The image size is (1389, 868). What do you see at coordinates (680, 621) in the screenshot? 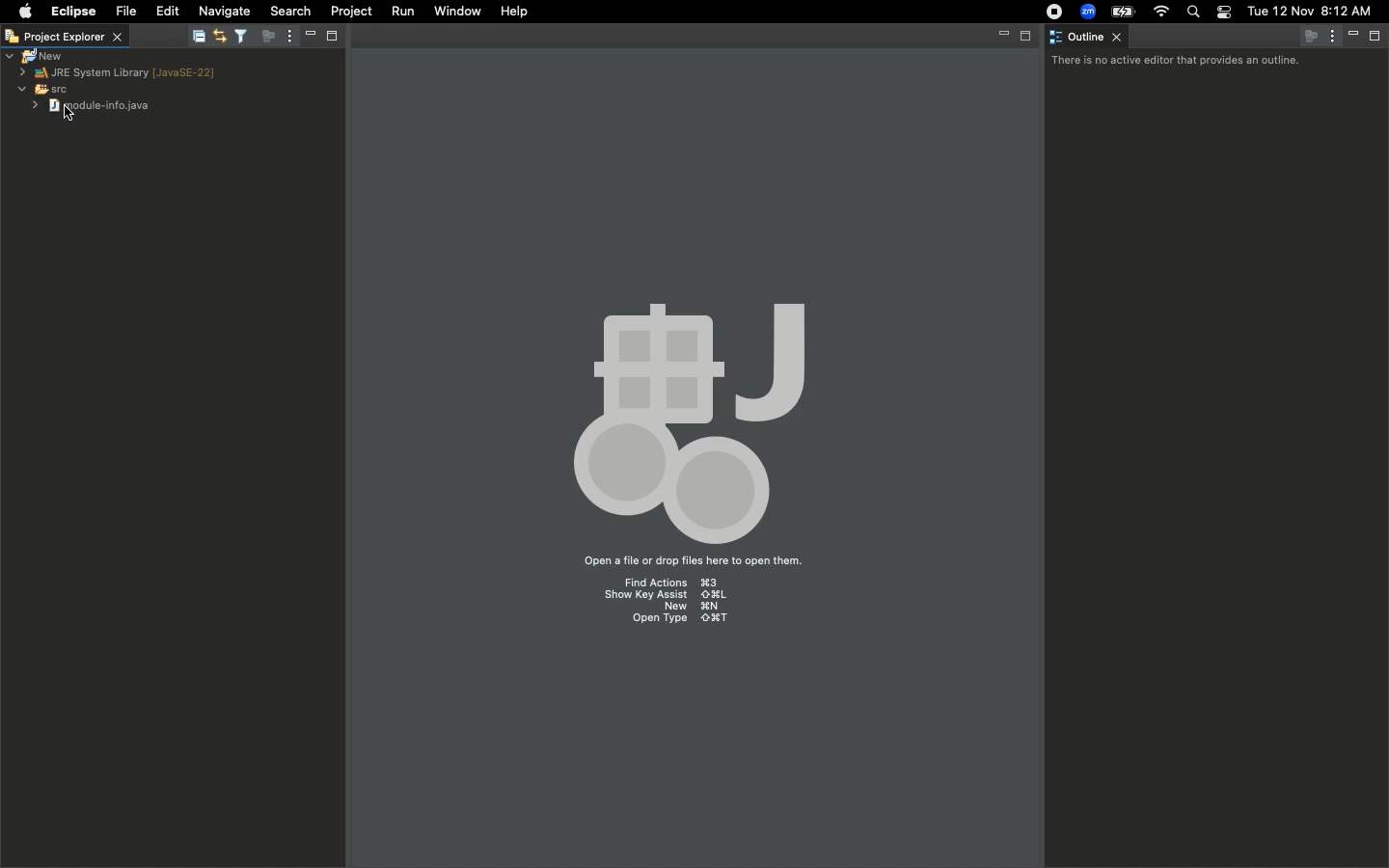
I see `Open type` at bounding box center [680, 621].